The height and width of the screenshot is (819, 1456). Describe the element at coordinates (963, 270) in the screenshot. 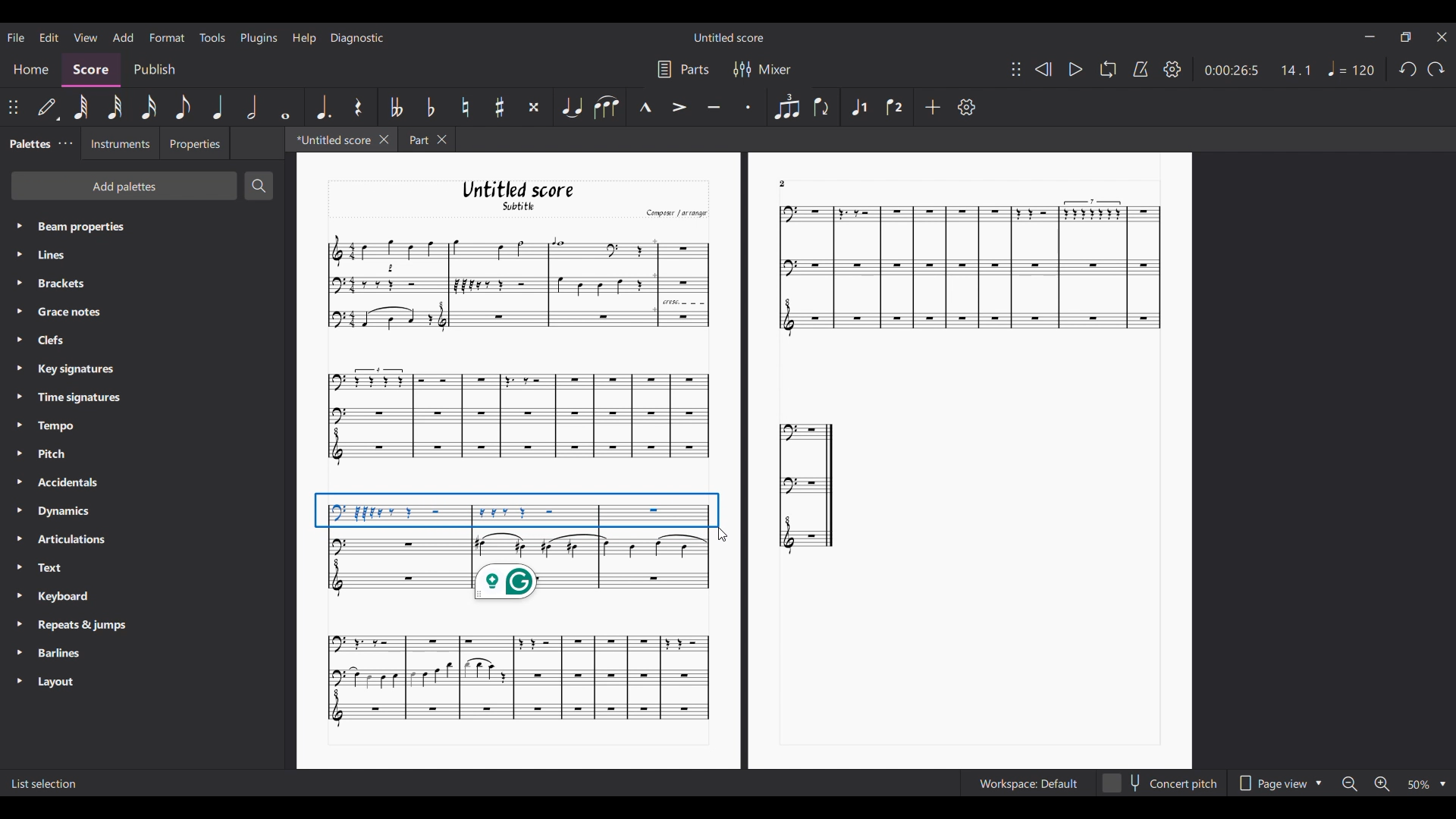

I see `Graph` at that location.